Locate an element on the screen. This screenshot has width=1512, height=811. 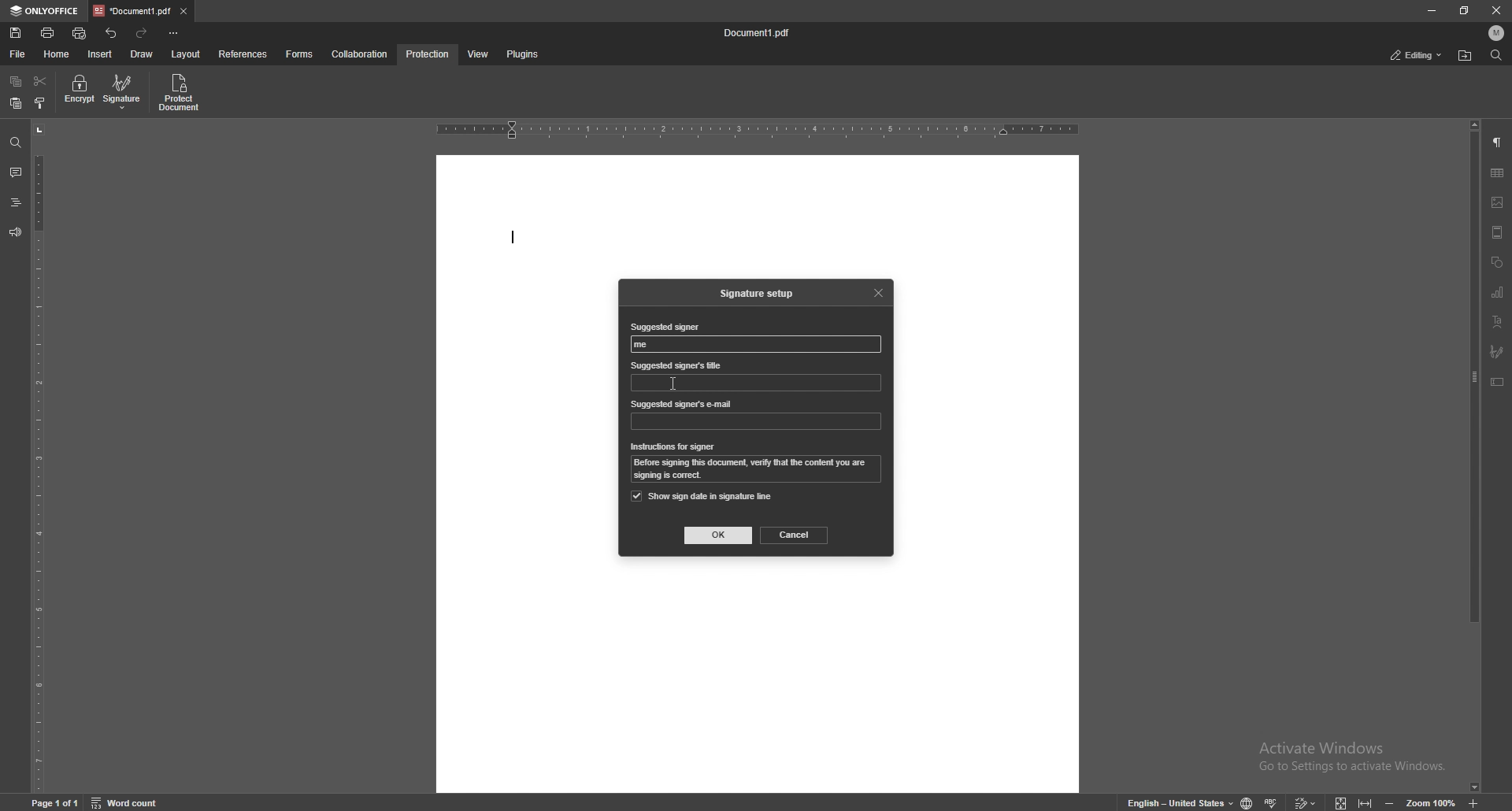
suggested signer is located at coordinates (664, 328).